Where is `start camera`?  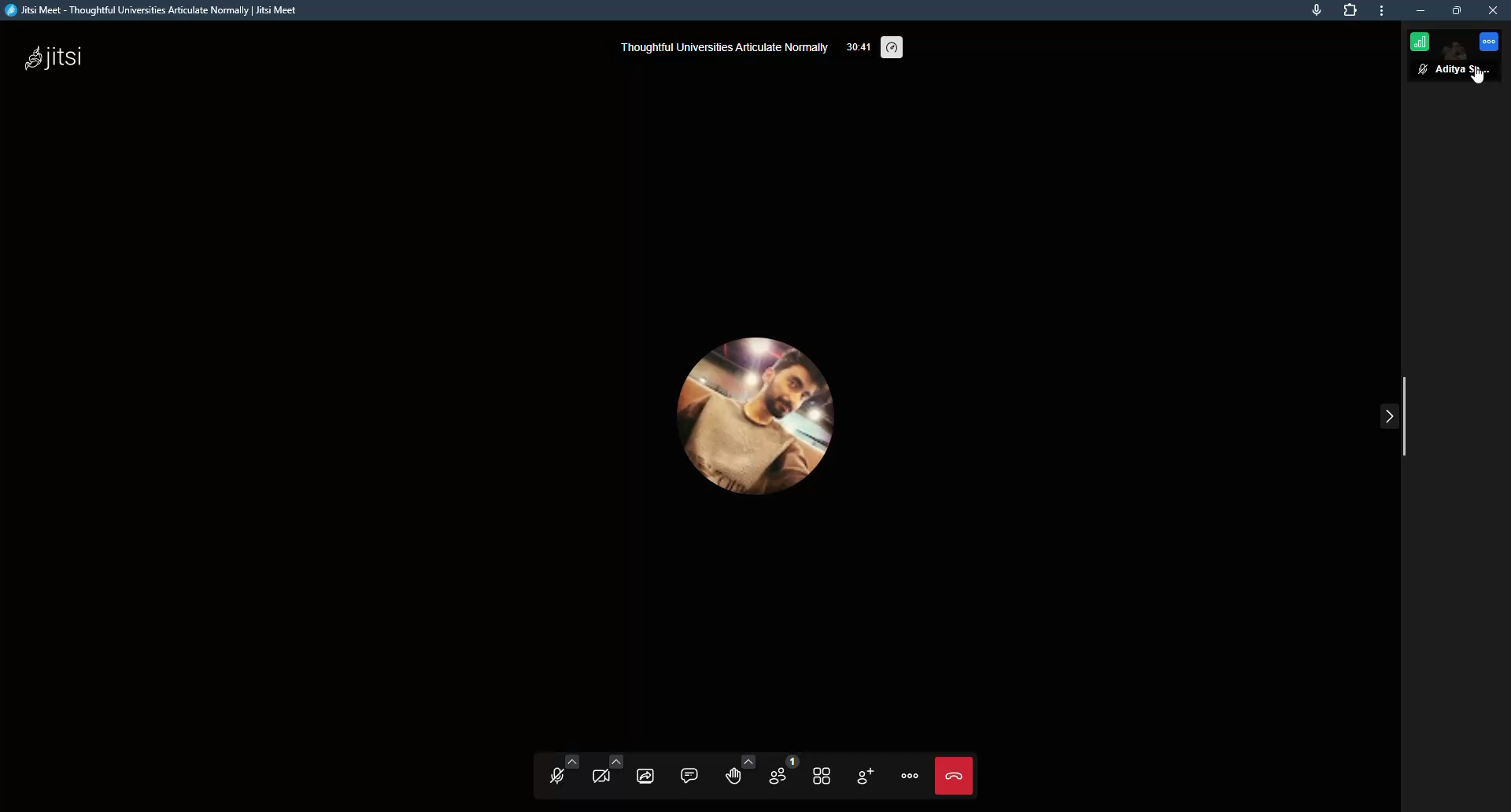
start camera is located at coordinates (605, 773).